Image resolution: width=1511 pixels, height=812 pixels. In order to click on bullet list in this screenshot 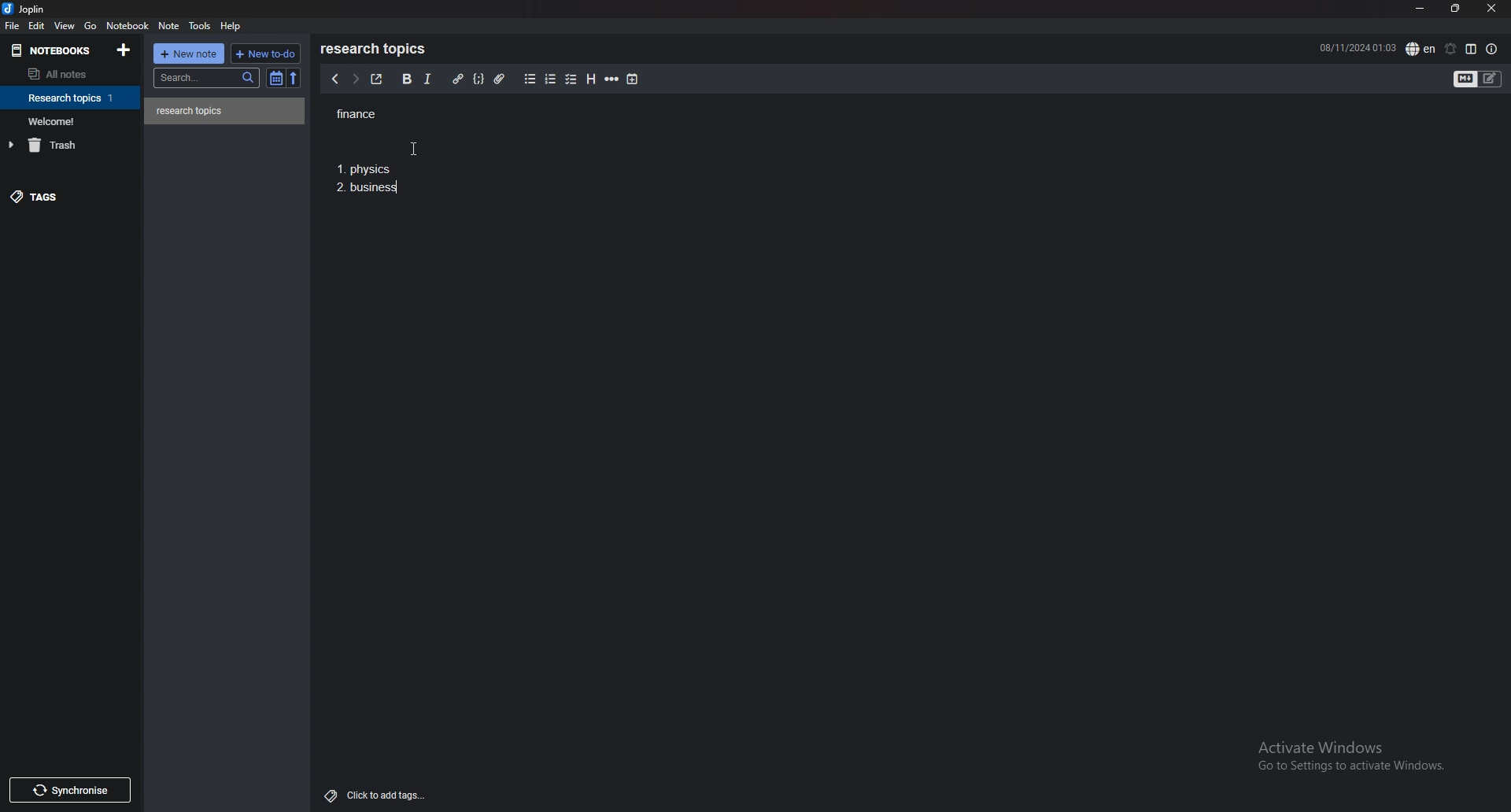, I will do `click(530, 79)`.